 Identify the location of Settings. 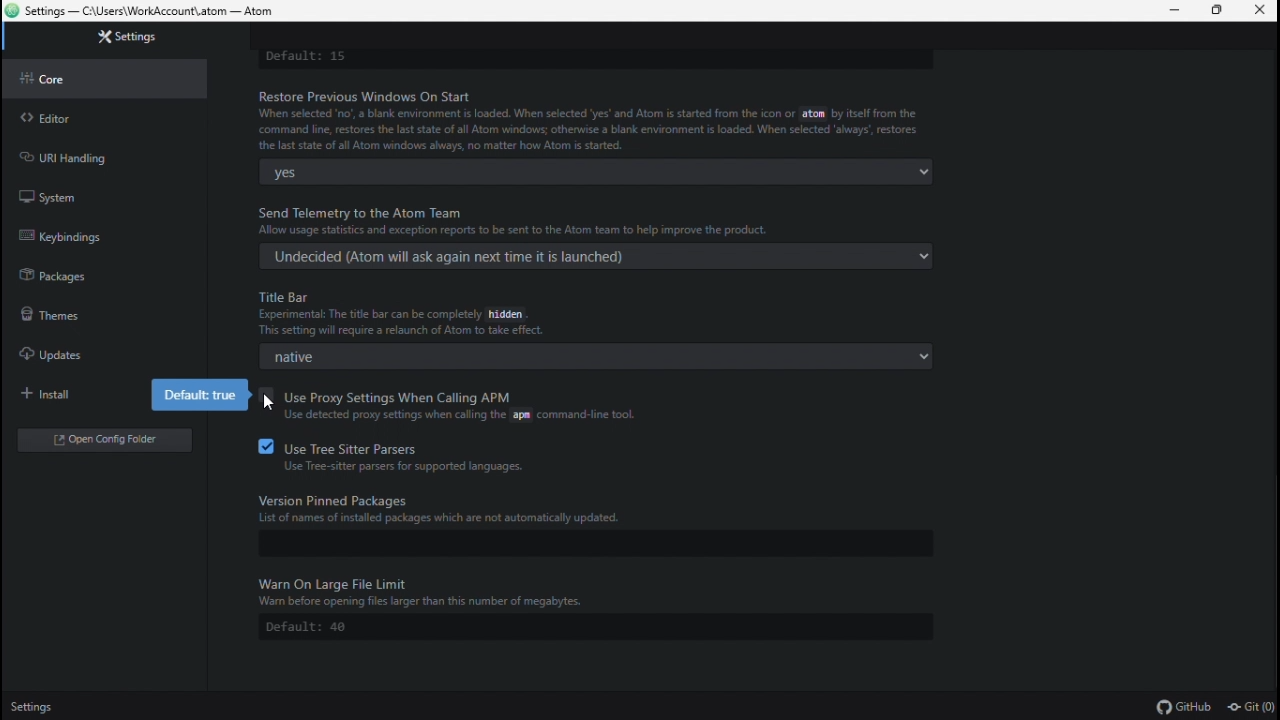
(117, 38).